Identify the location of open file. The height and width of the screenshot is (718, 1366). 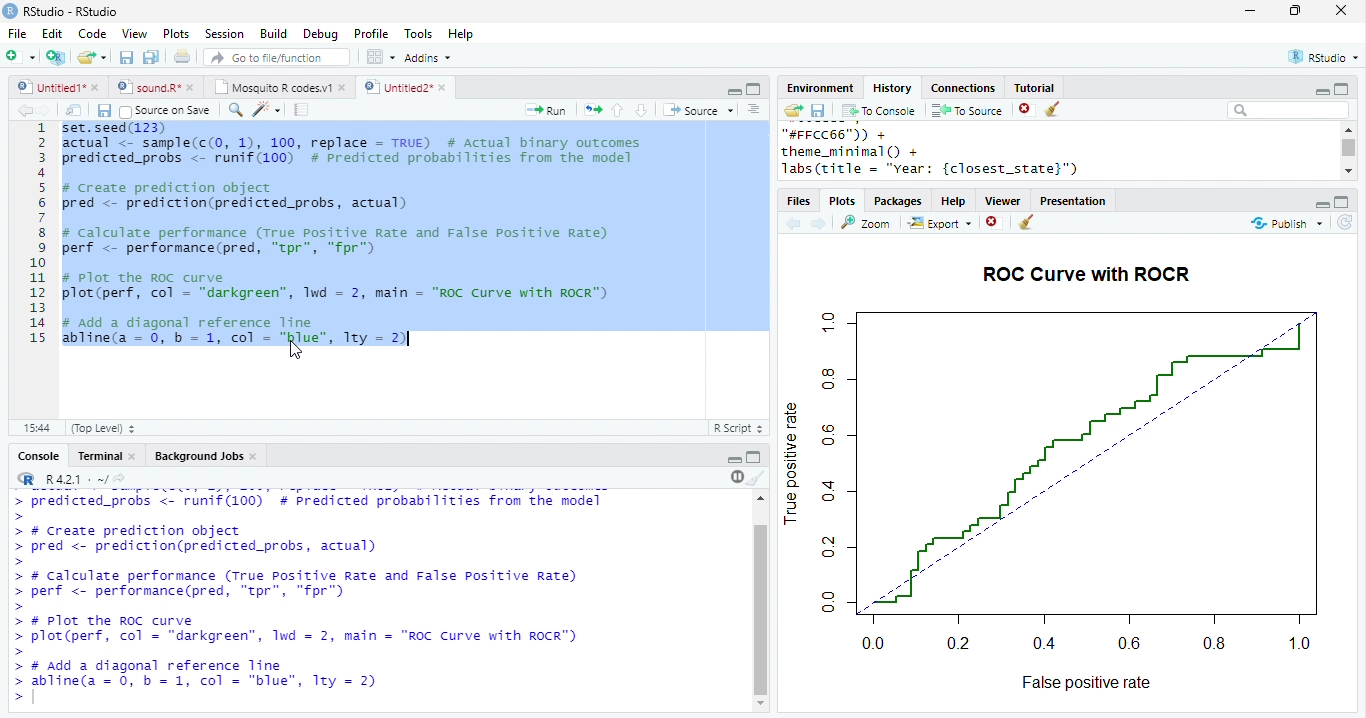
(92, 57).